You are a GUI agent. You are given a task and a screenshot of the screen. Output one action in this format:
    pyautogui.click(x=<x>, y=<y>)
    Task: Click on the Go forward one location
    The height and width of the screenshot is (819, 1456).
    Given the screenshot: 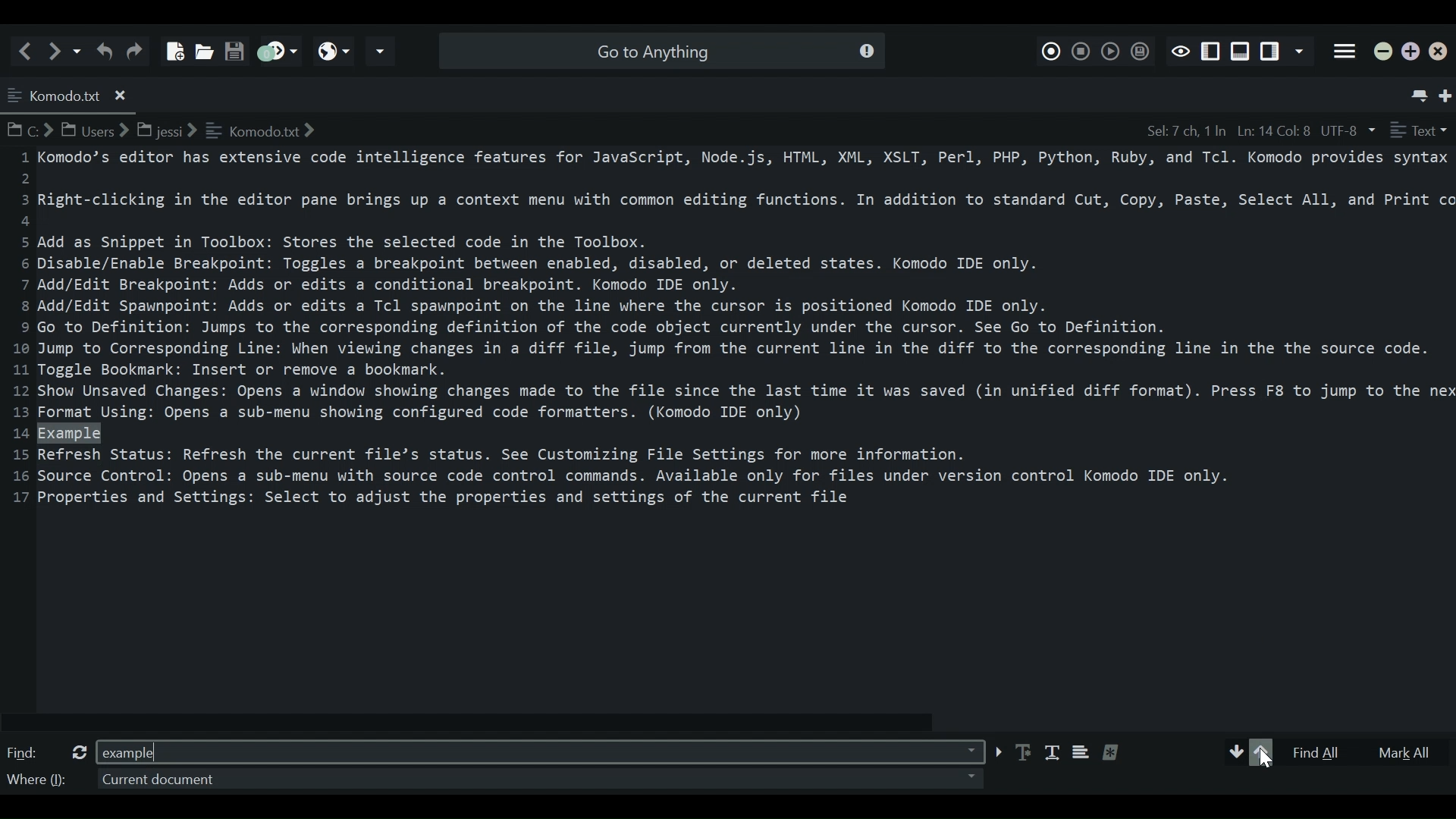 What is the action you would take?
    pyautogui.click(x=57, y=50)
    